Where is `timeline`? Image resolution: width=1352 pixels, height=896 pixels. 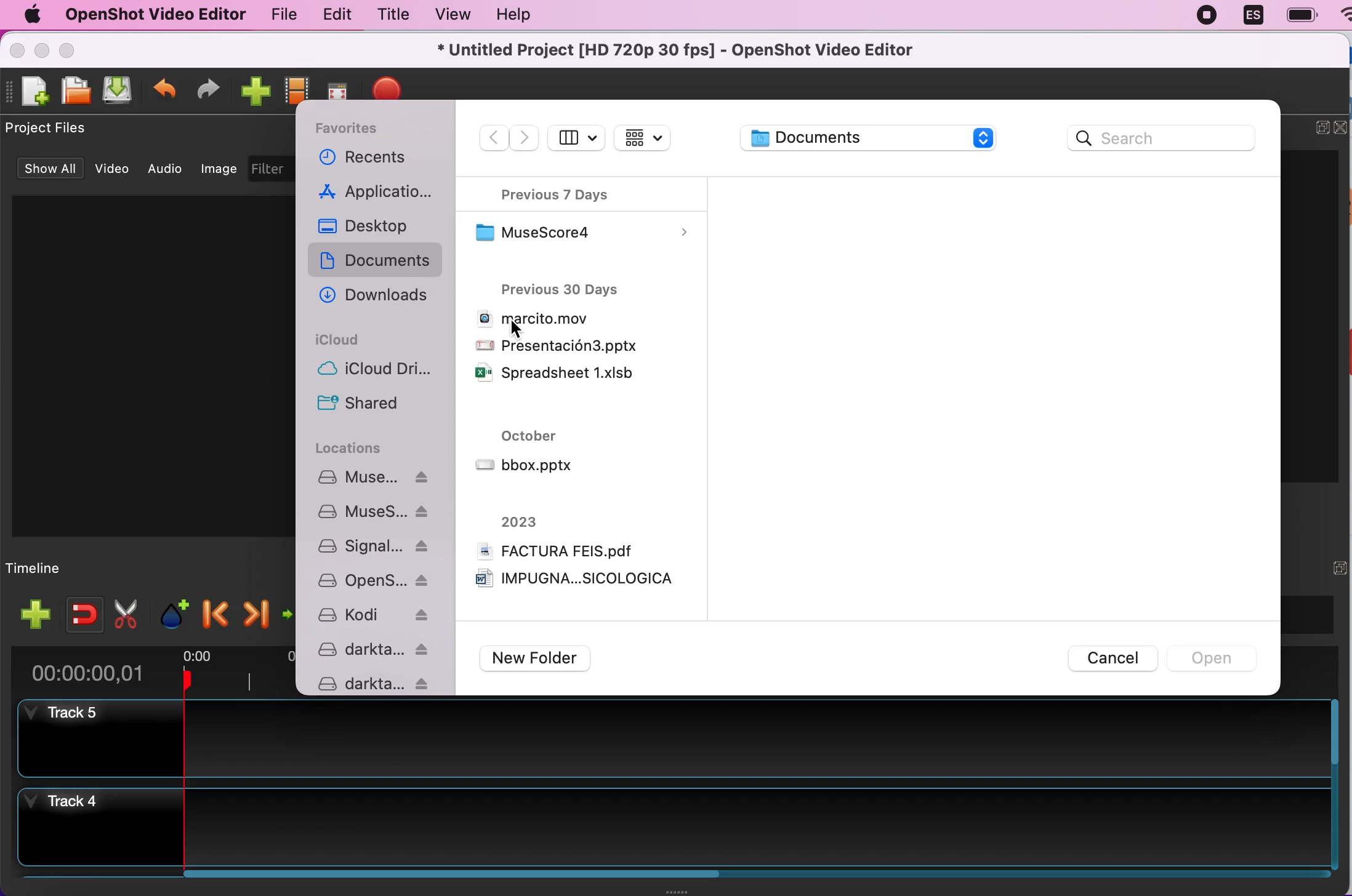
timeline is located at coordinates (46, 569).